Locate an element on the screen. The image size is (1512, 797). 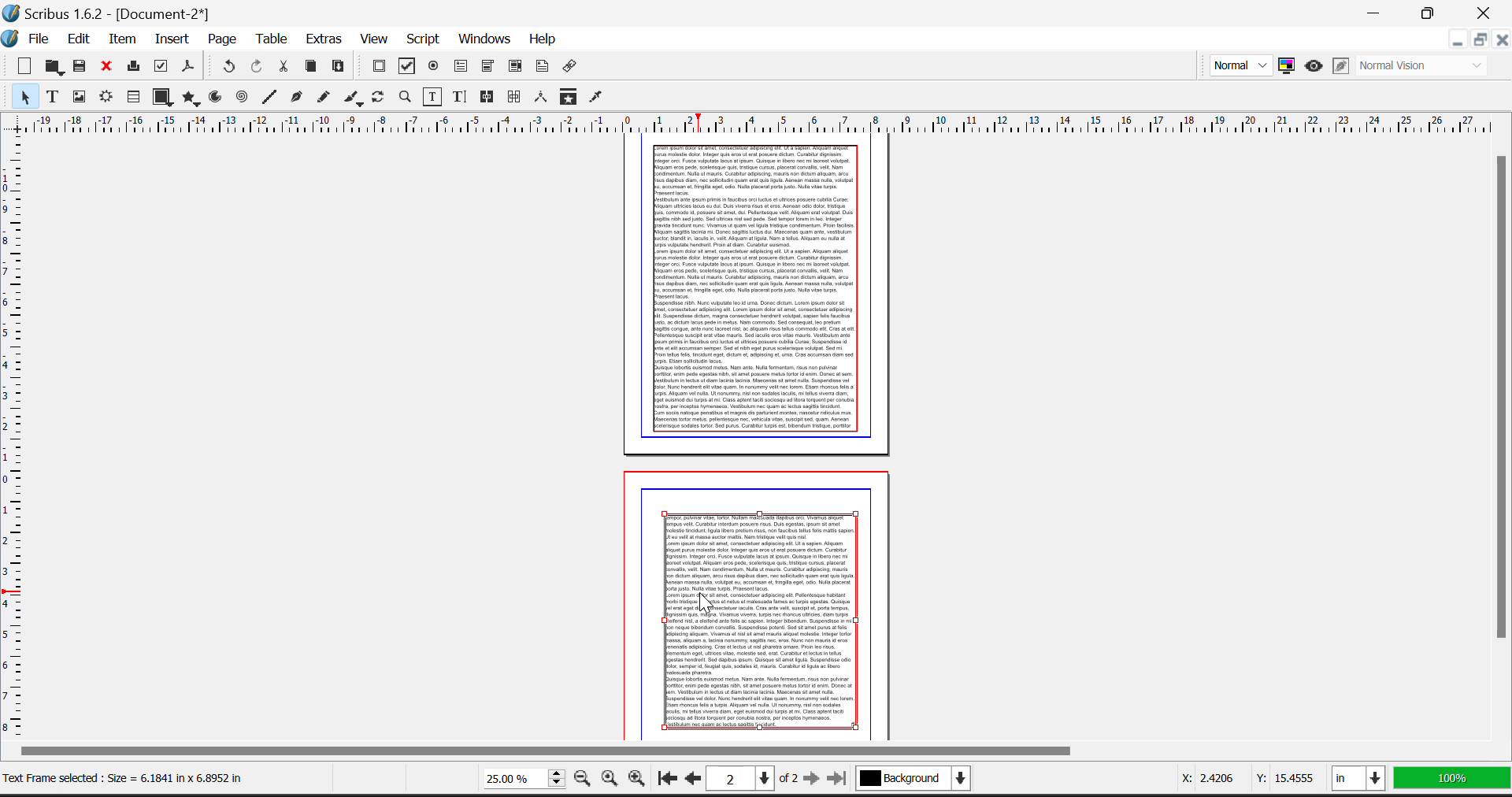
Minimize is located at coordinates (1478, 42).